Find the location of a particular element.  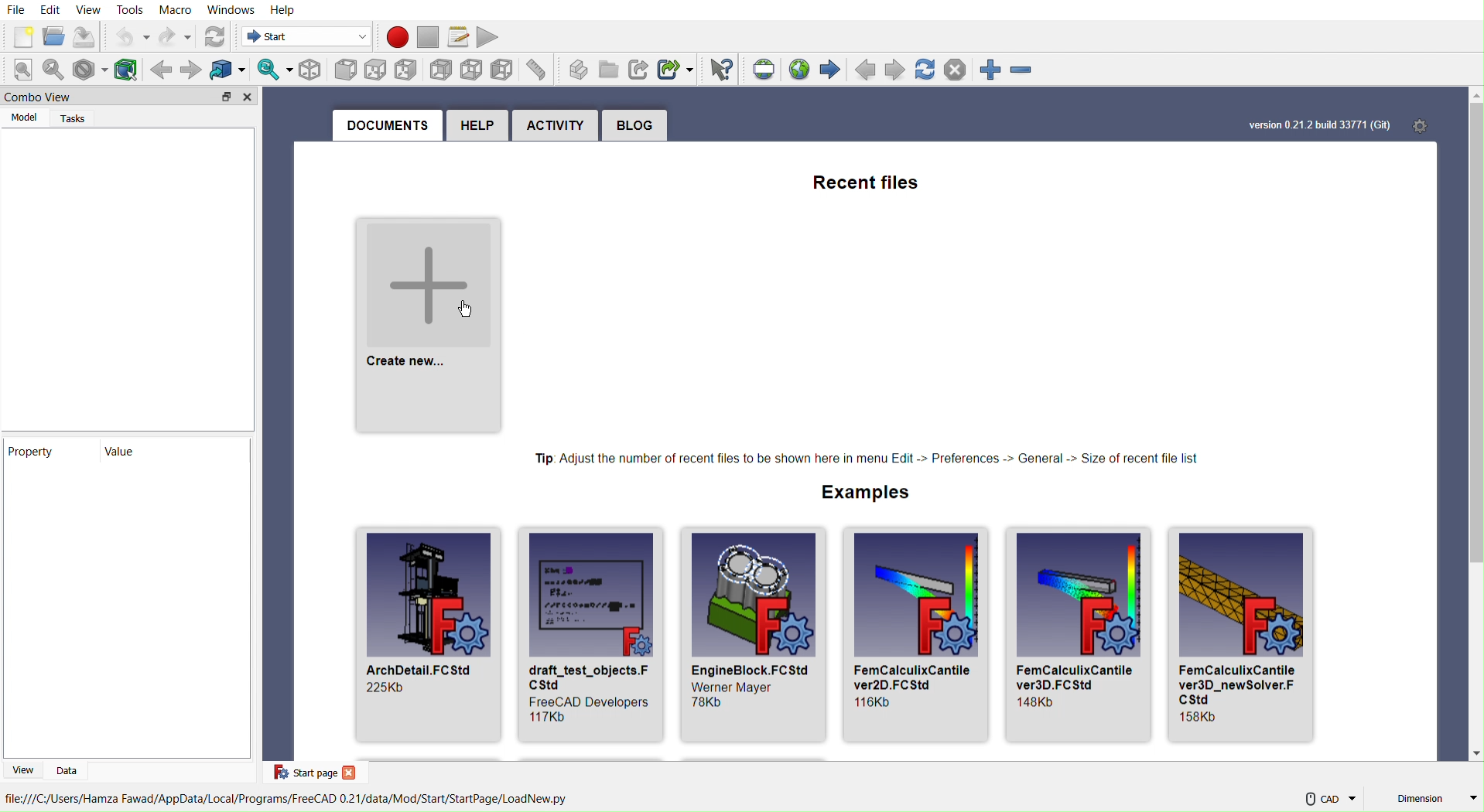

Create a link is located at coordinates (638, 71).